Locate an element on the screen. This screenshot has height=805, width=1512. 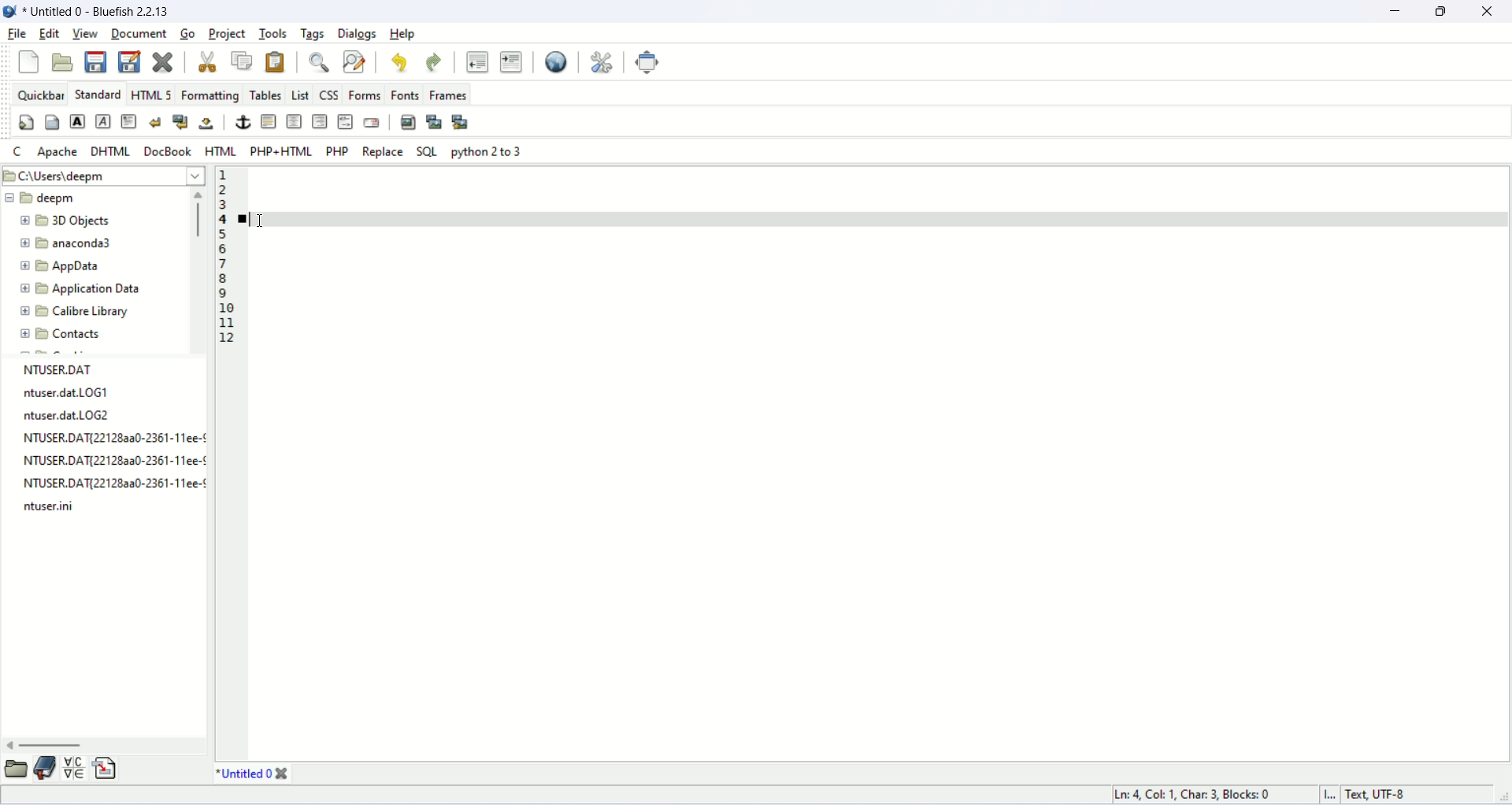
deepm is located at coordinates (43, 198).